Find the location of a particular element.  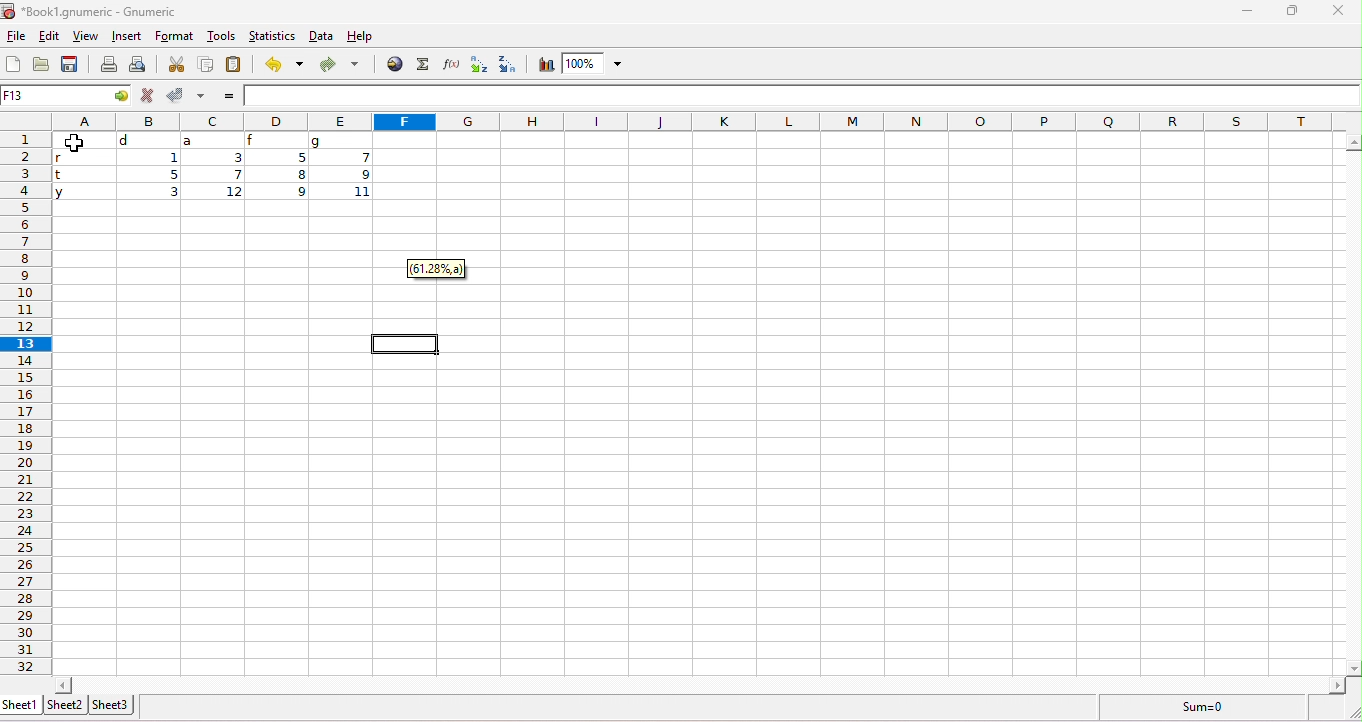

zoom is located at coordinates (592, 63).